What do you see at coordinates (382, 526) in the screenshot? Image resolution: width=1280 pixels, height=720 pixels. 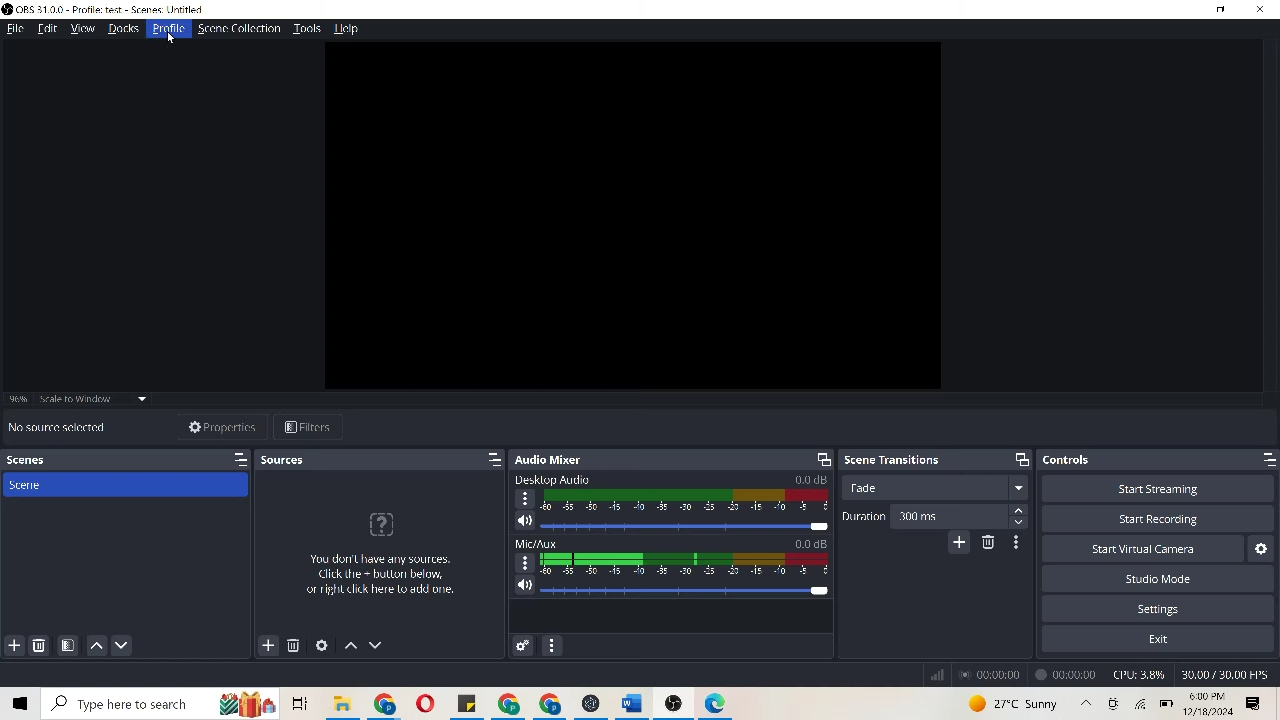 I see `icon` at bounding box center [382, 526].